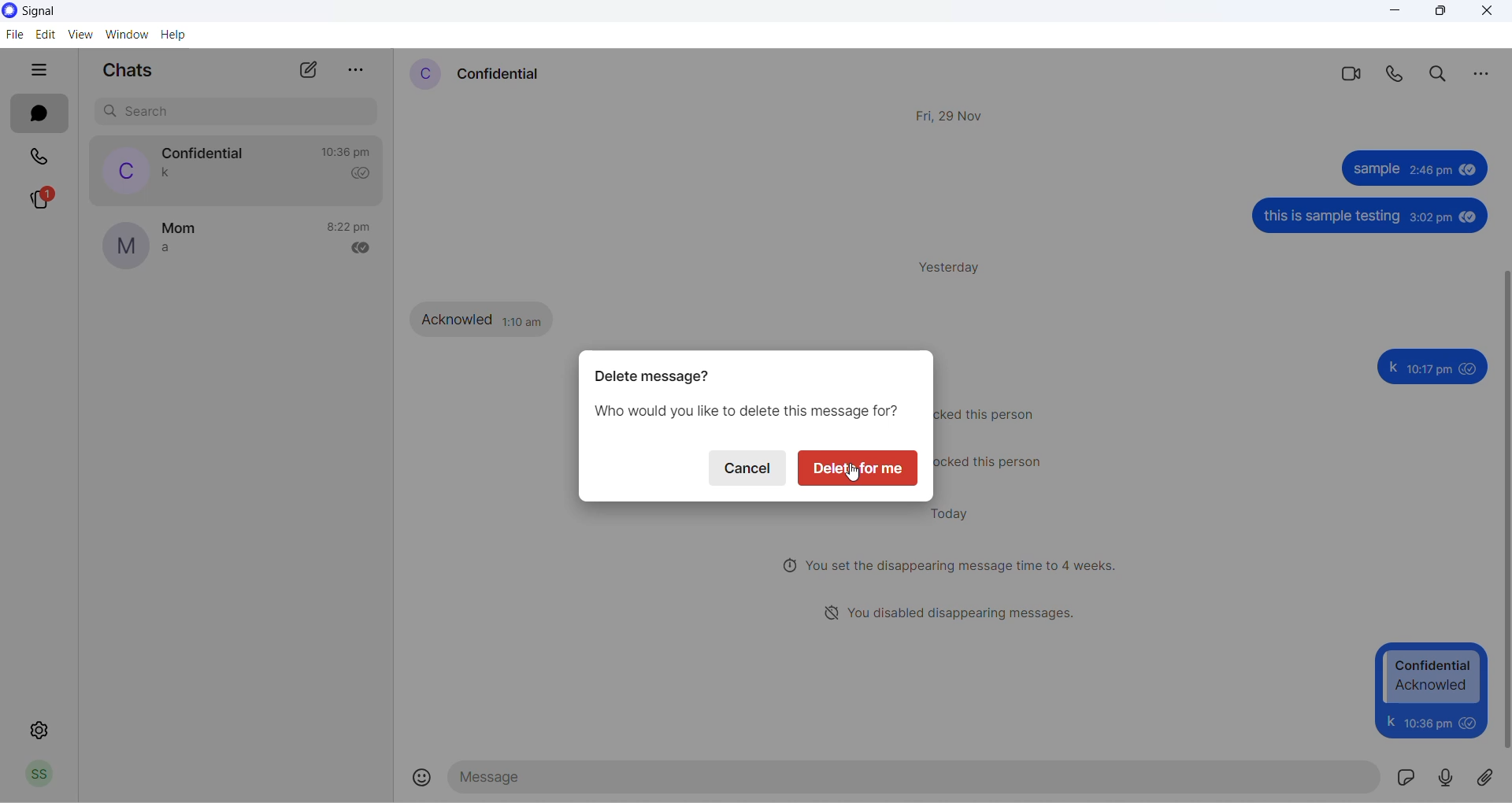  What do you see at coordinates (206, 154) in the screenshot?
I see `contact name` at bounding box center [206, 154].